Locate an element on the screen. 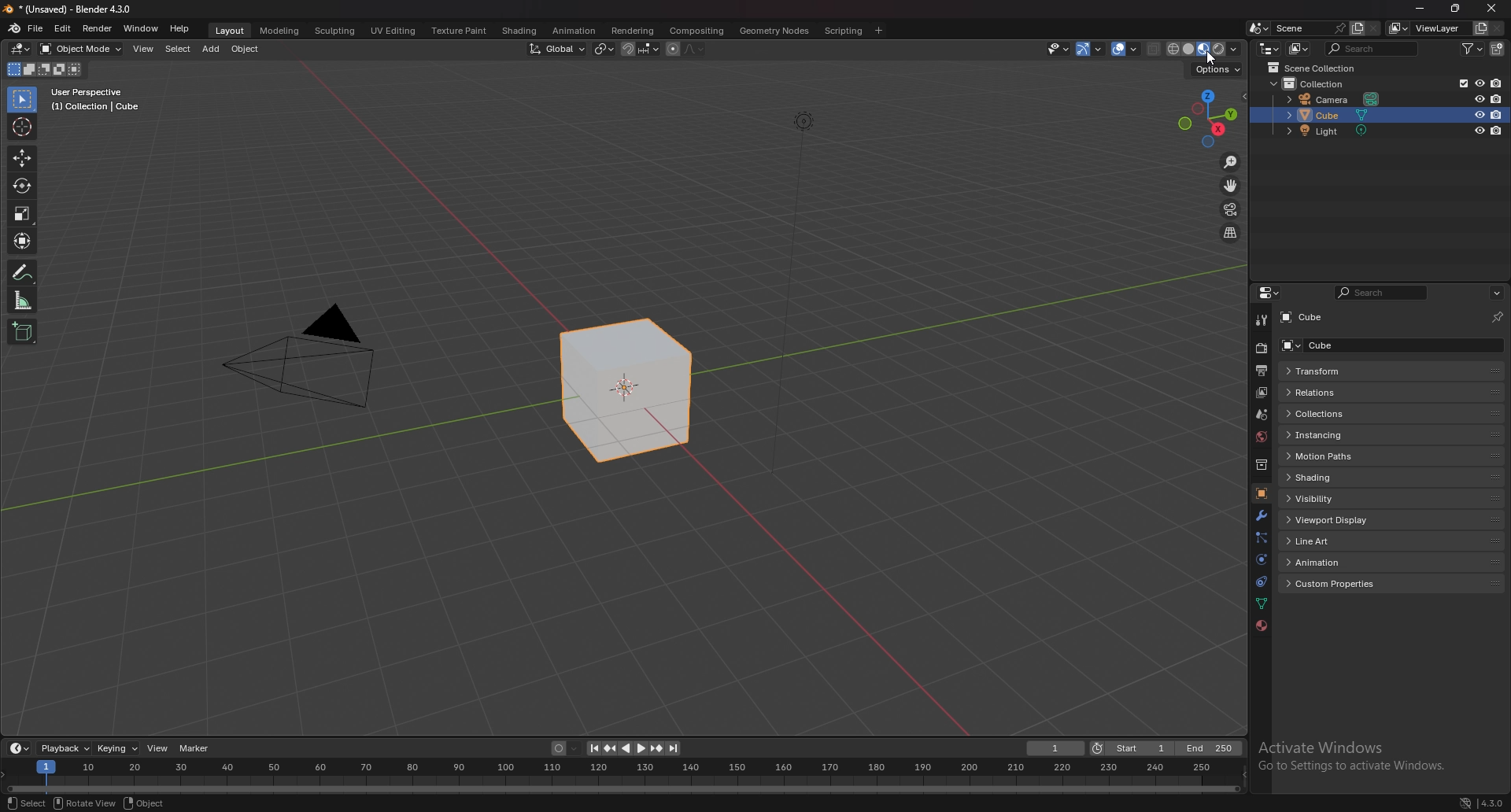  scene is located at coordinates (1310, 28).